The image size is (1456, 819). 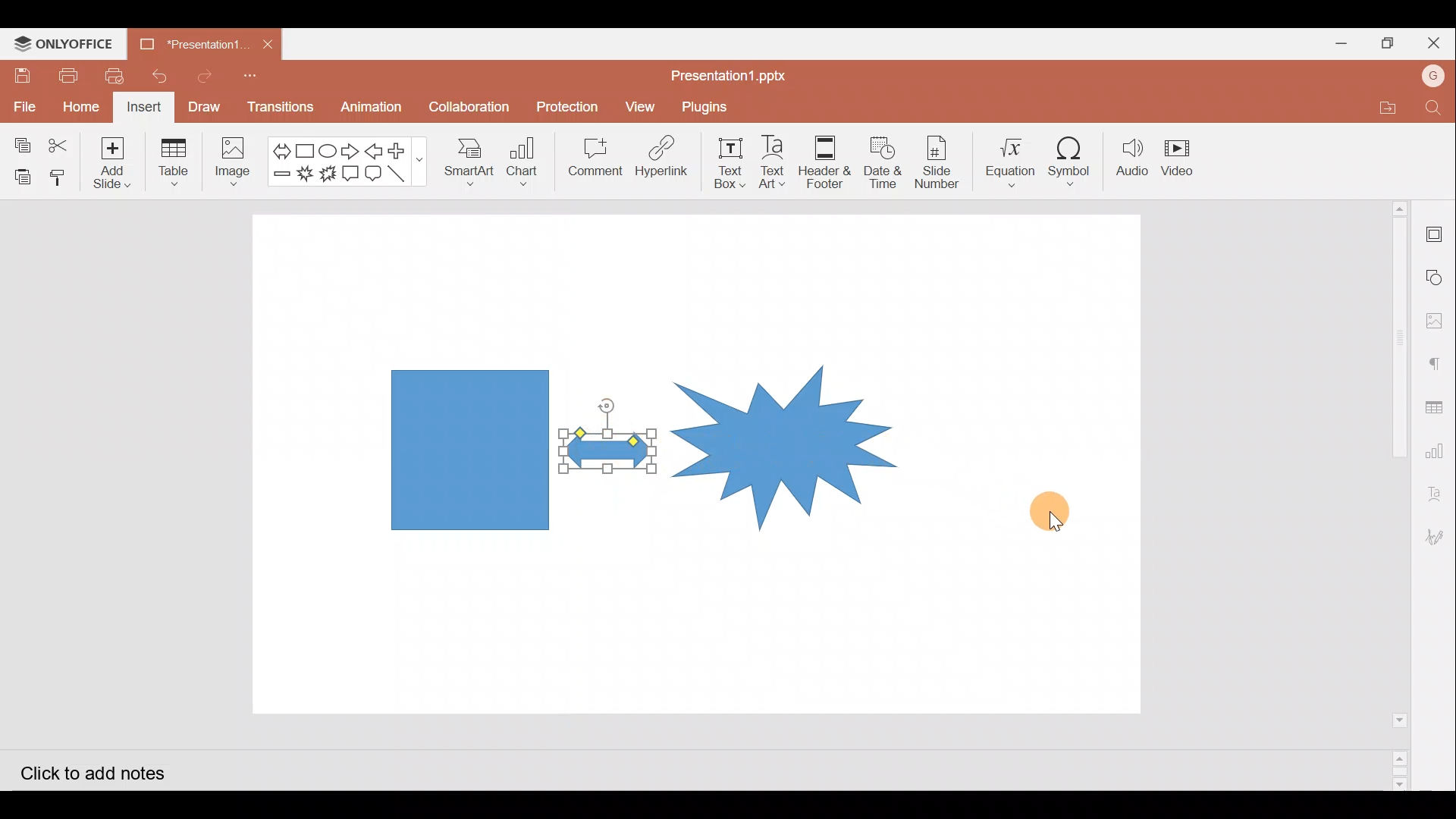 I want to click on Line, so click(x=401, y=172).